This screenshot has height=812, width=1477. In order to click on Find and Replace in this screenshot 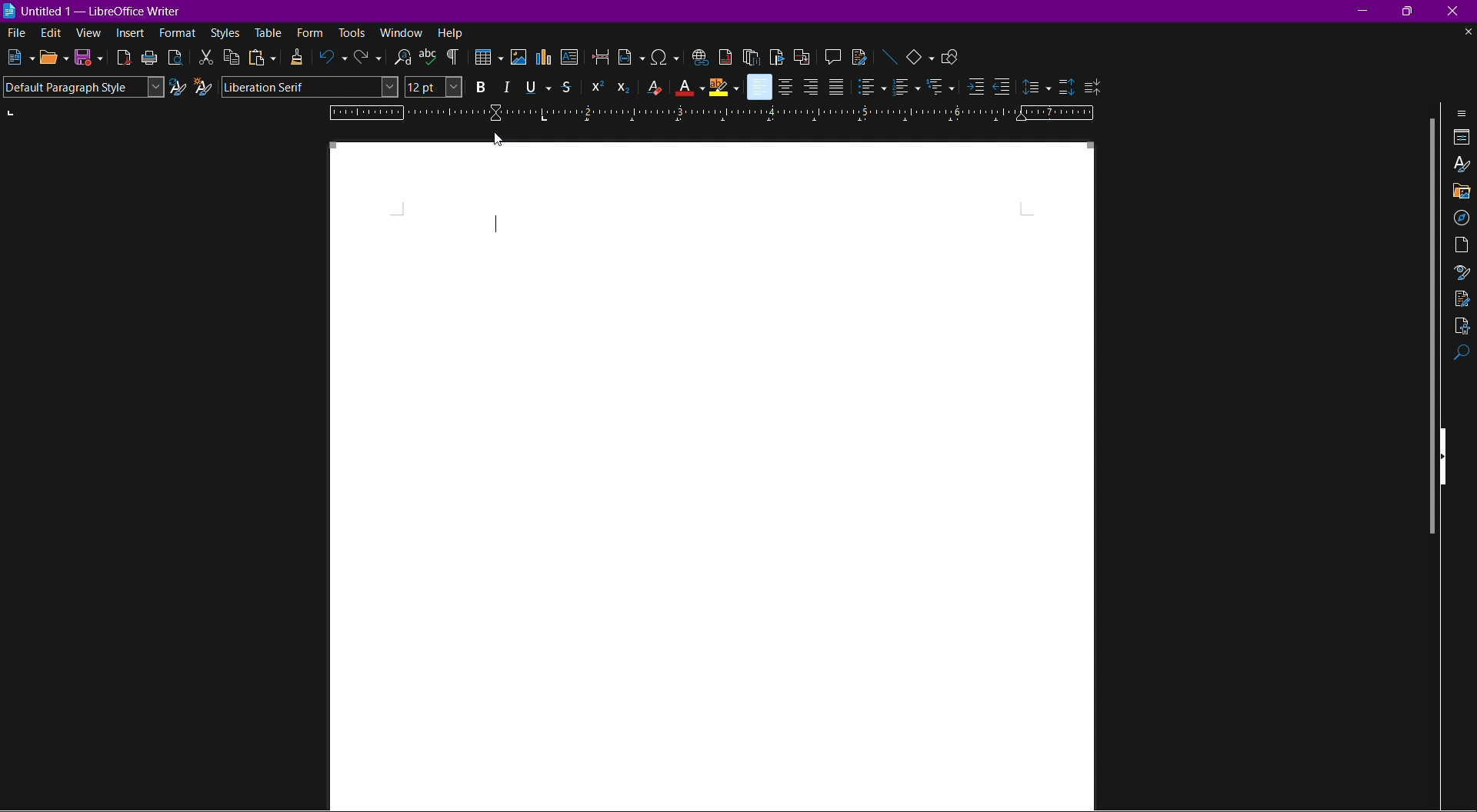, I will do `click(400, 57)`.